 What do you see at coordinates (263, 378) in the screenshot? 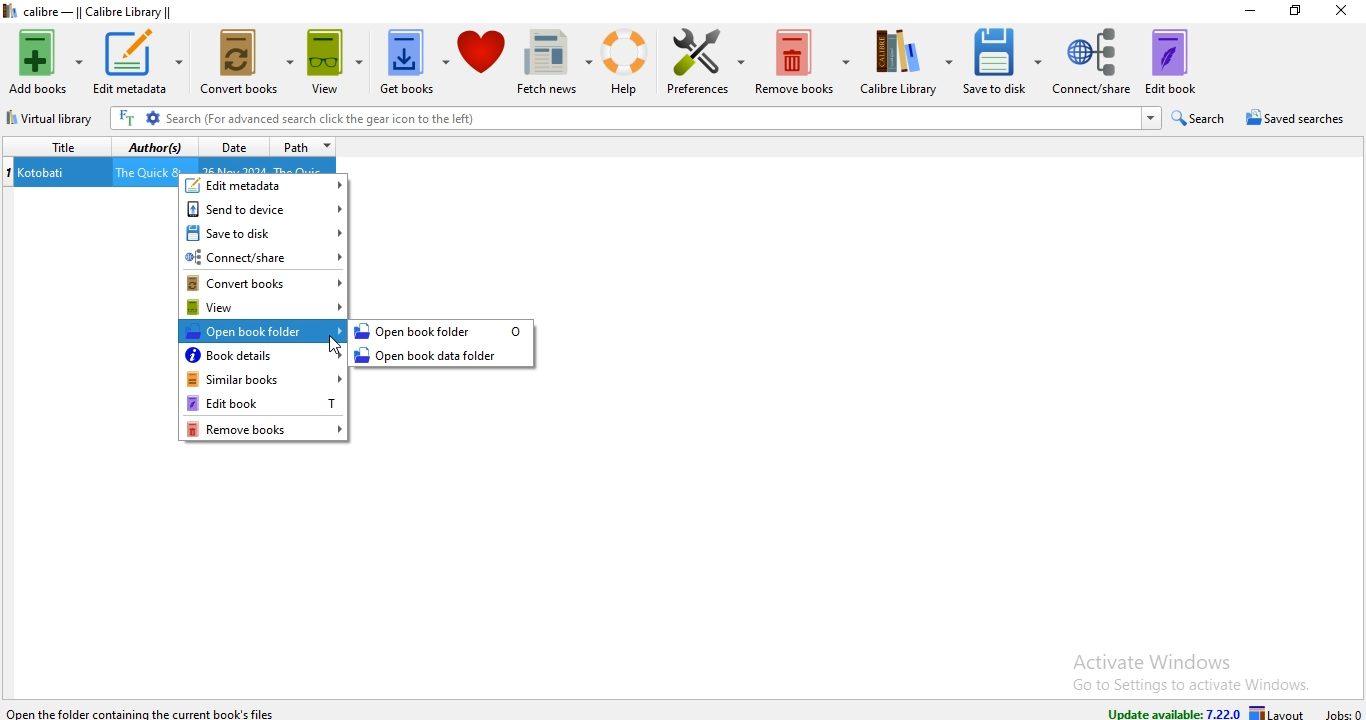
I see `similar books` at bounding box center [263, 378].